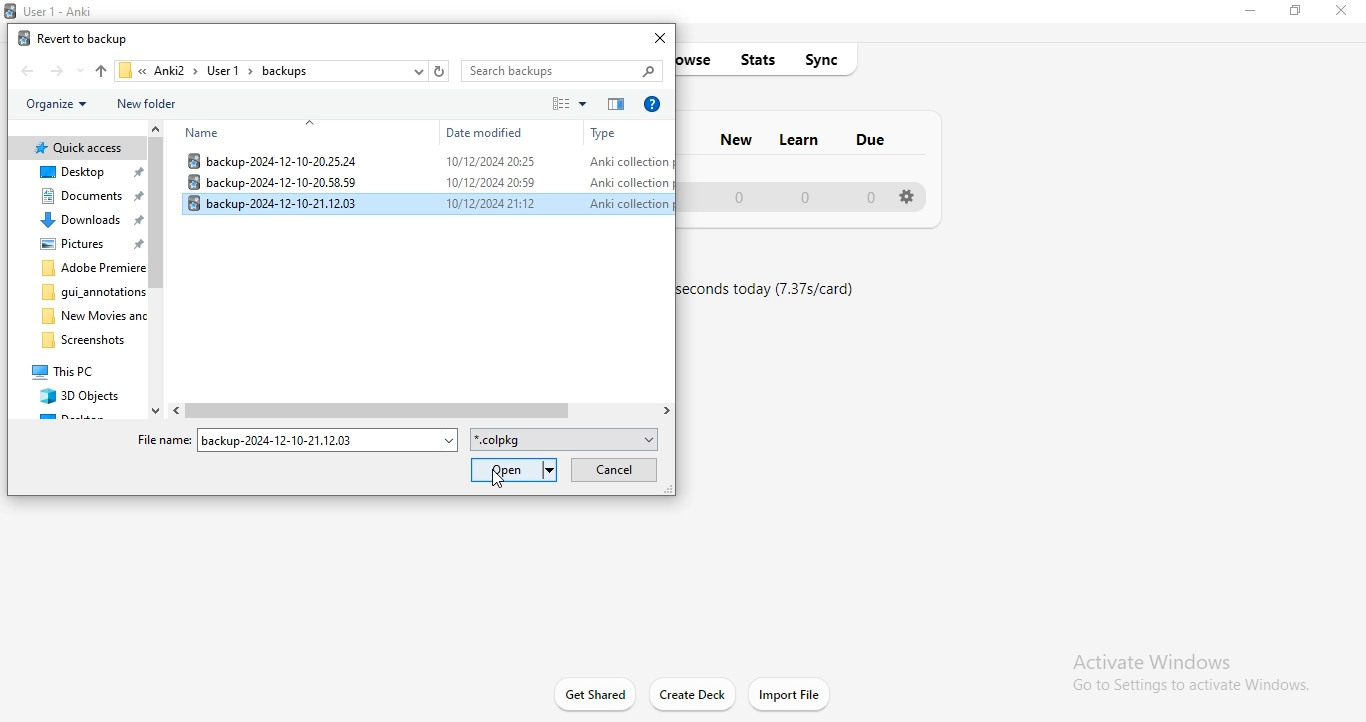 Image resolution: width=1366 pixels, height=722 pixels. I want to click on due, so click(871, 143).